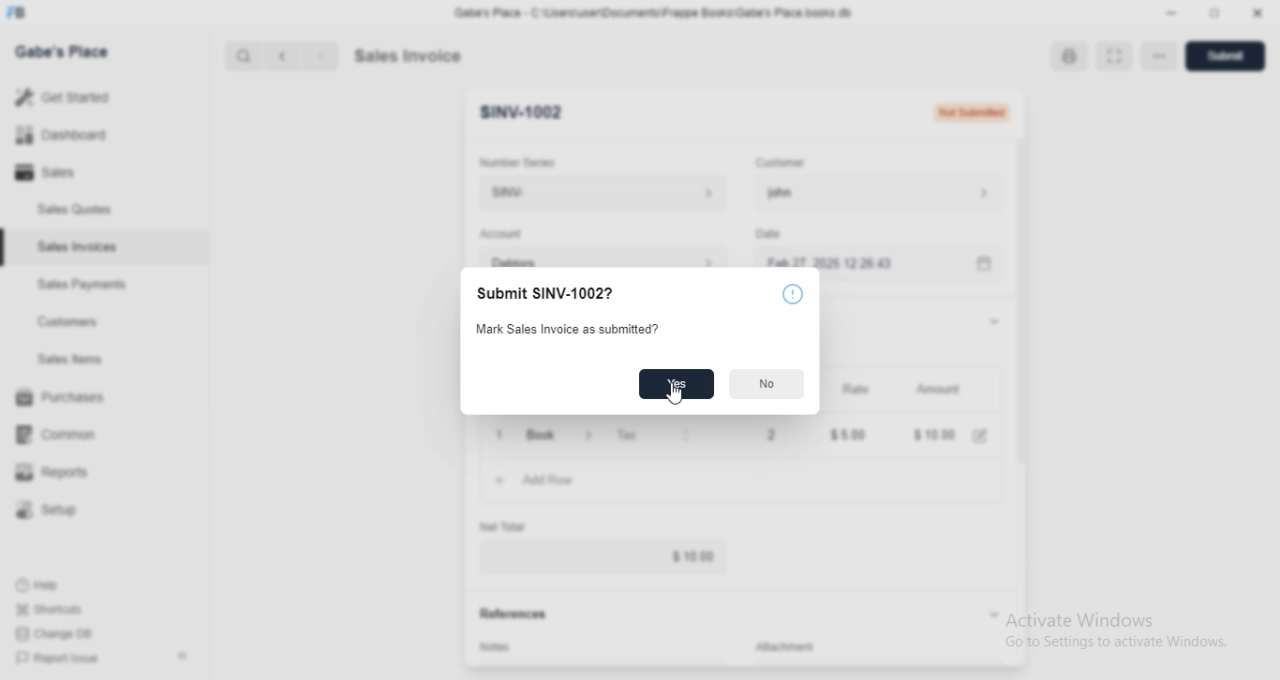 Image resolution: width=1280 pixels, height=680 pixels. What do you see at coordinates (677, 394) in the screenshot?
I see `Cursor` at bounding box center [677, 394].